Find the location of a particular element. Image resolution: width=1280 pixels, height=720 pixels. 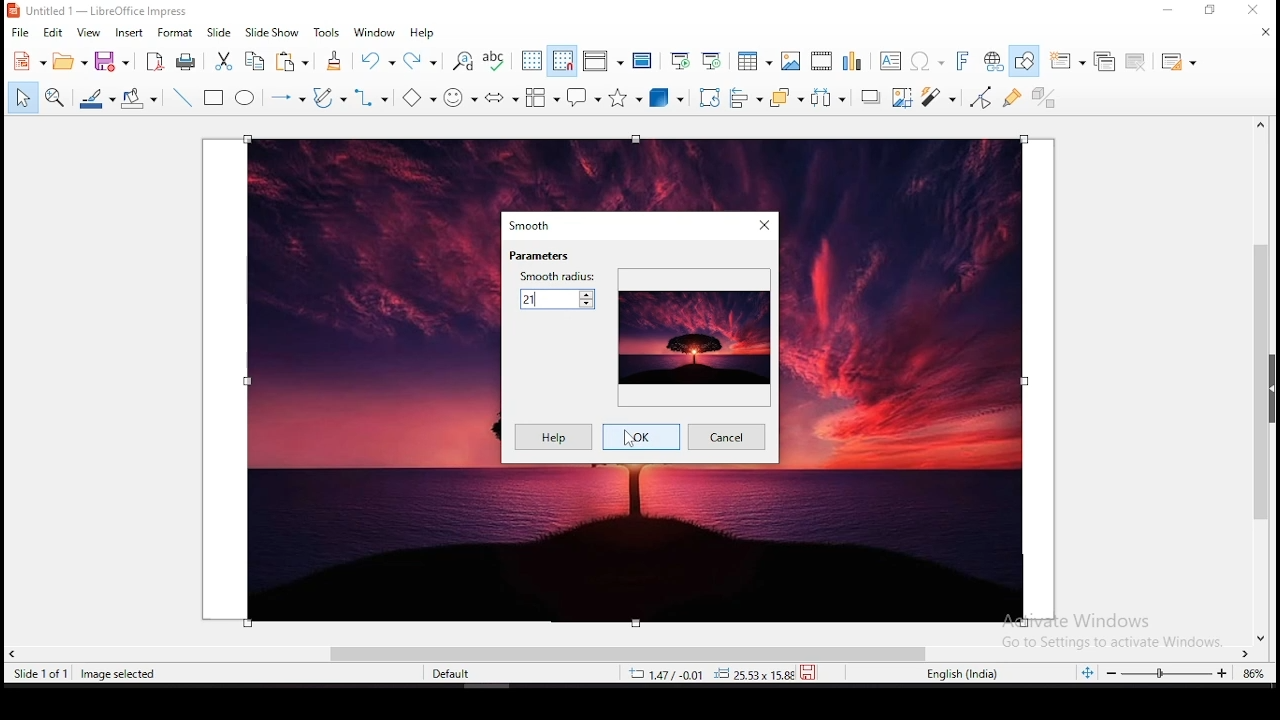

symbol shapes is located at coordinates (463, 96).